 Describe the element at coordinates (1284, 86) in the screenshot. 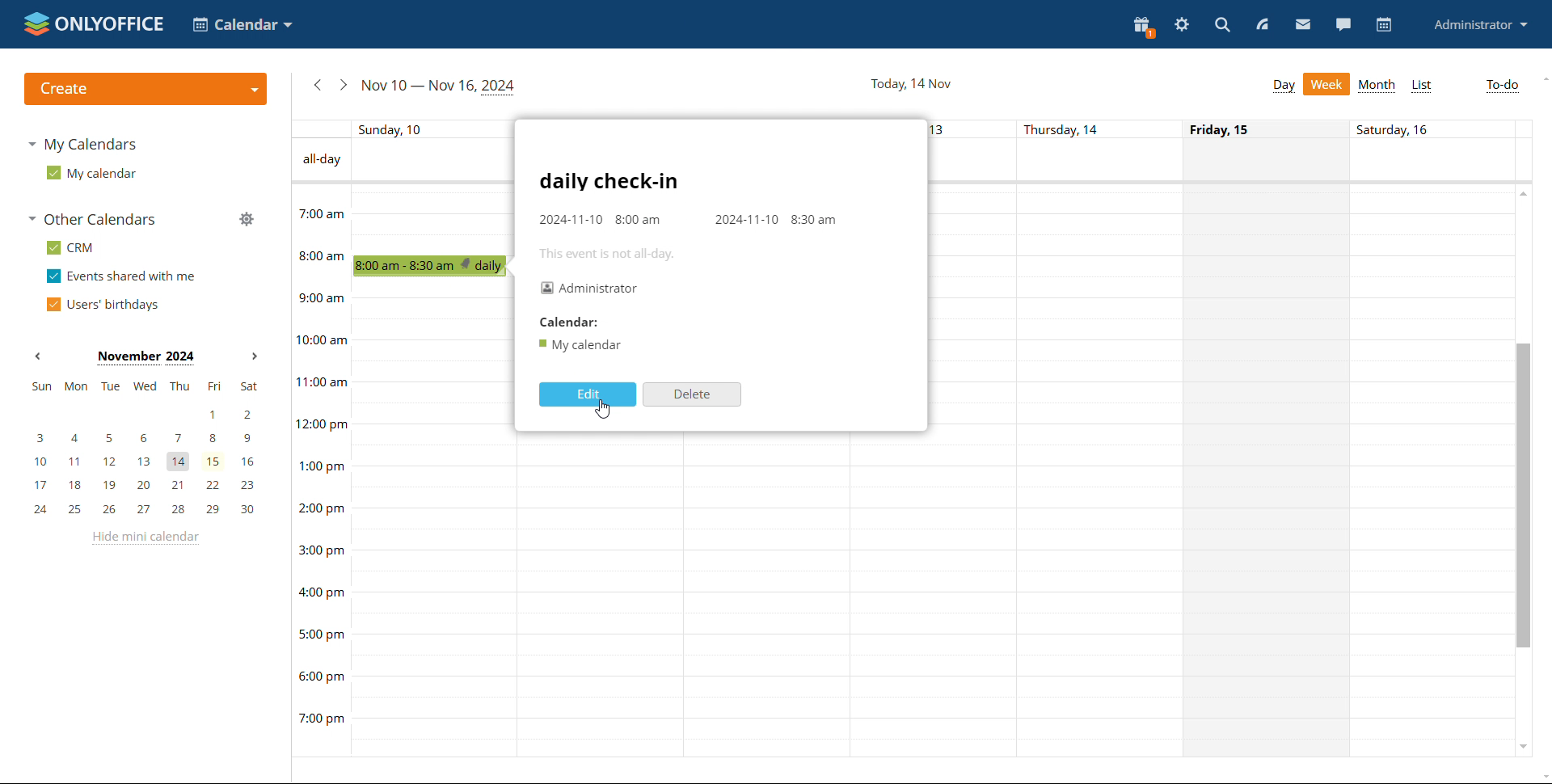

I see `day view` at that location.